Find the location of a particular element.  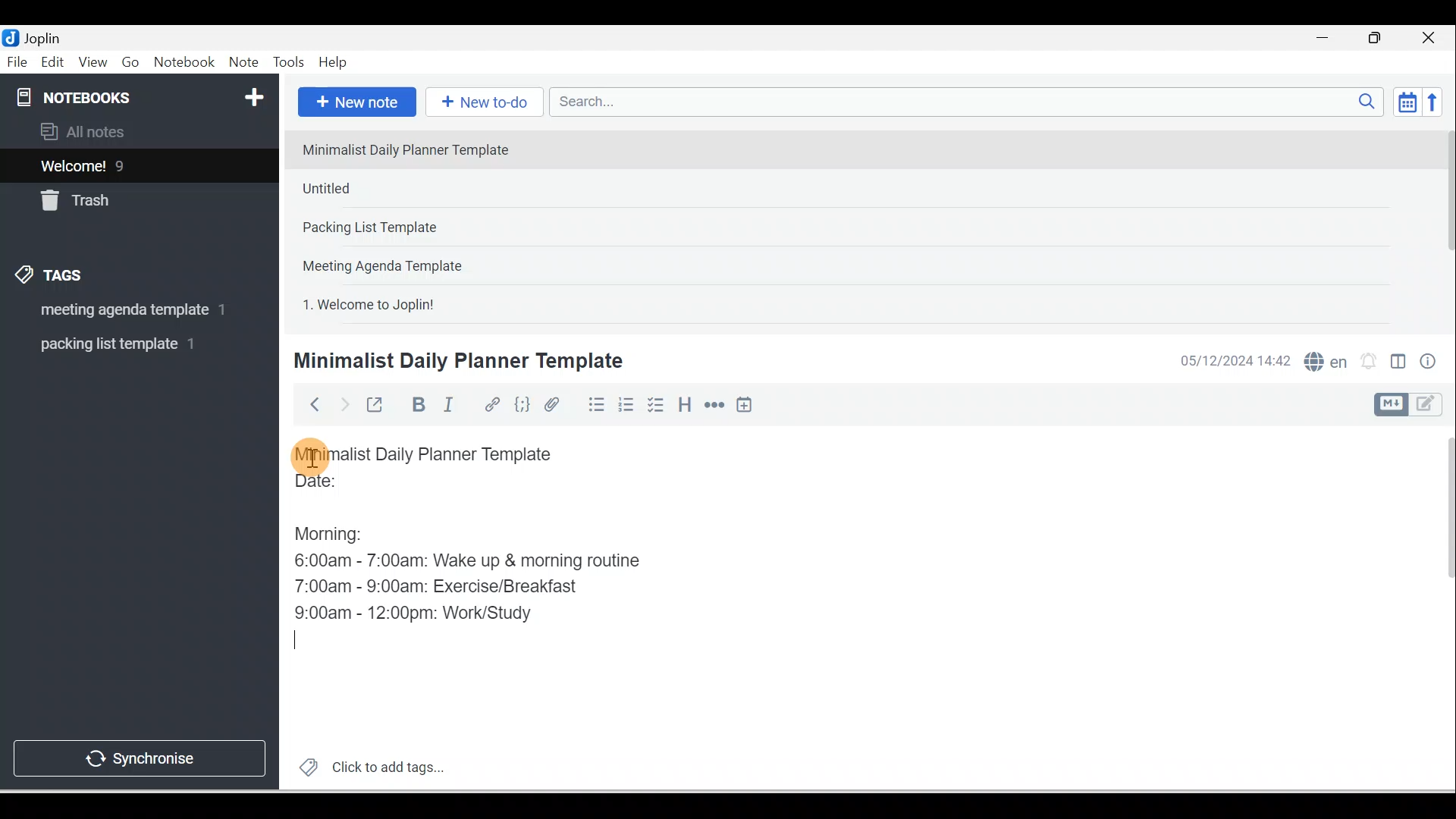

Note 1 is located at coordinates (416, 149).